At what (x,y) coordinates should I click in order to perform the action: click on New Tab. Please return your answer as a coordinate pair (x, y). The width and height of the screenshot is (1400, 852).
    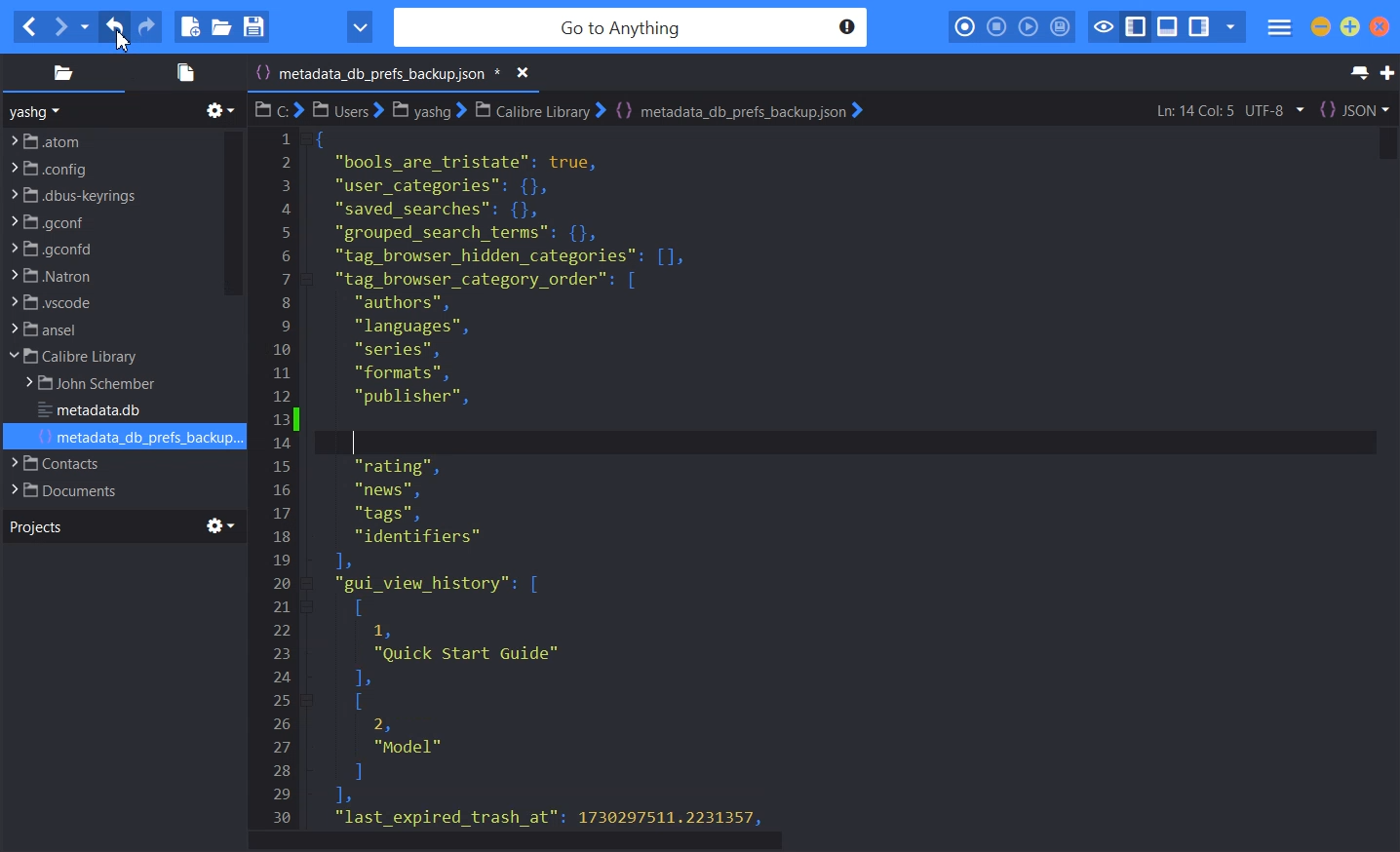
    Looking at the image, I should click on (1387, 73).